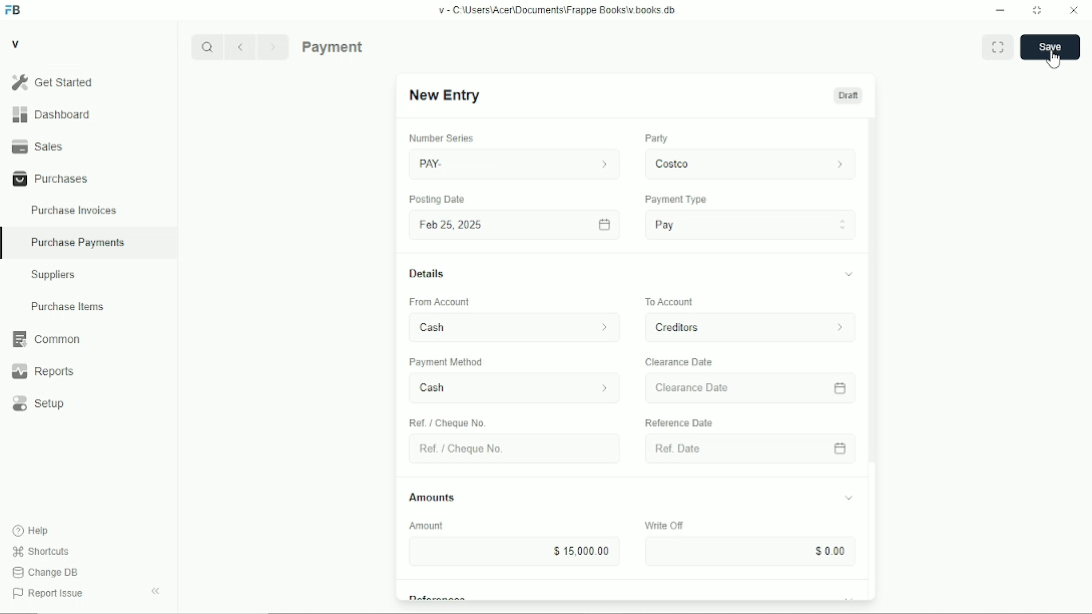 This screenshot has height=614, width=1092. I want to click on PAY., so click(515, 161).